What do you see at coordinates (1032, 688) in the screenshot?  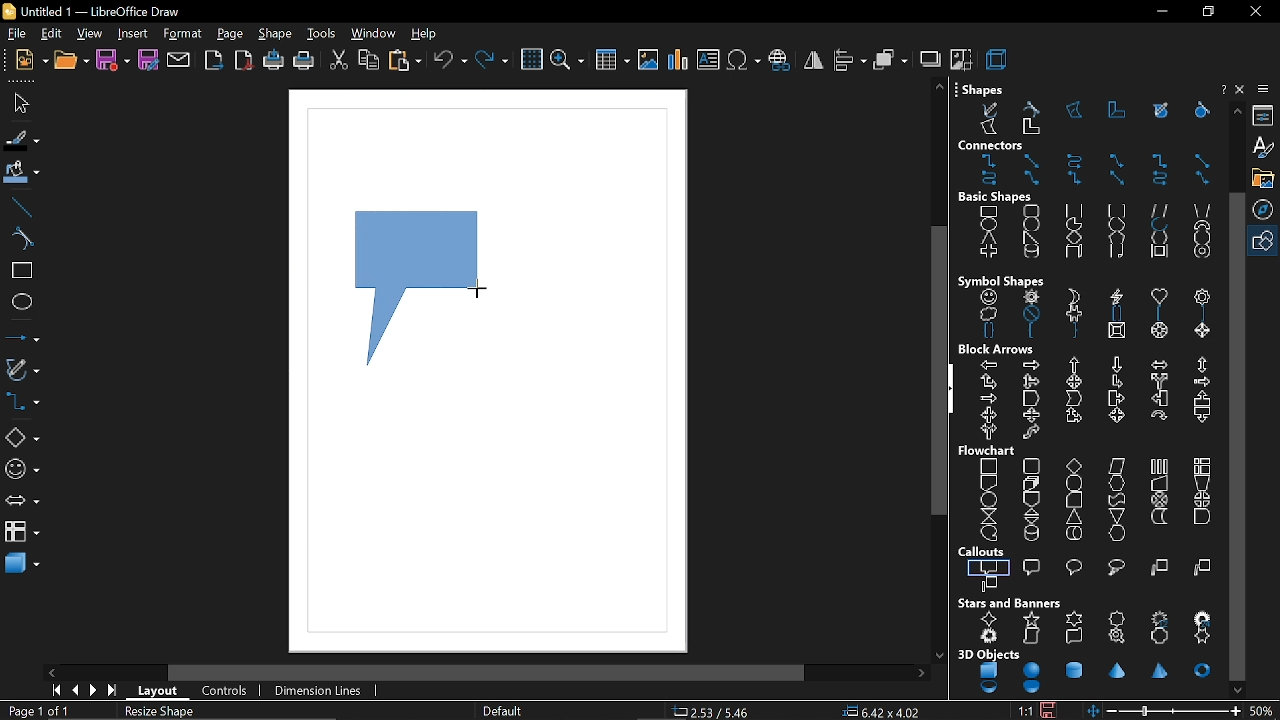 I see `half sphere` at bounding box center [1032, 688].